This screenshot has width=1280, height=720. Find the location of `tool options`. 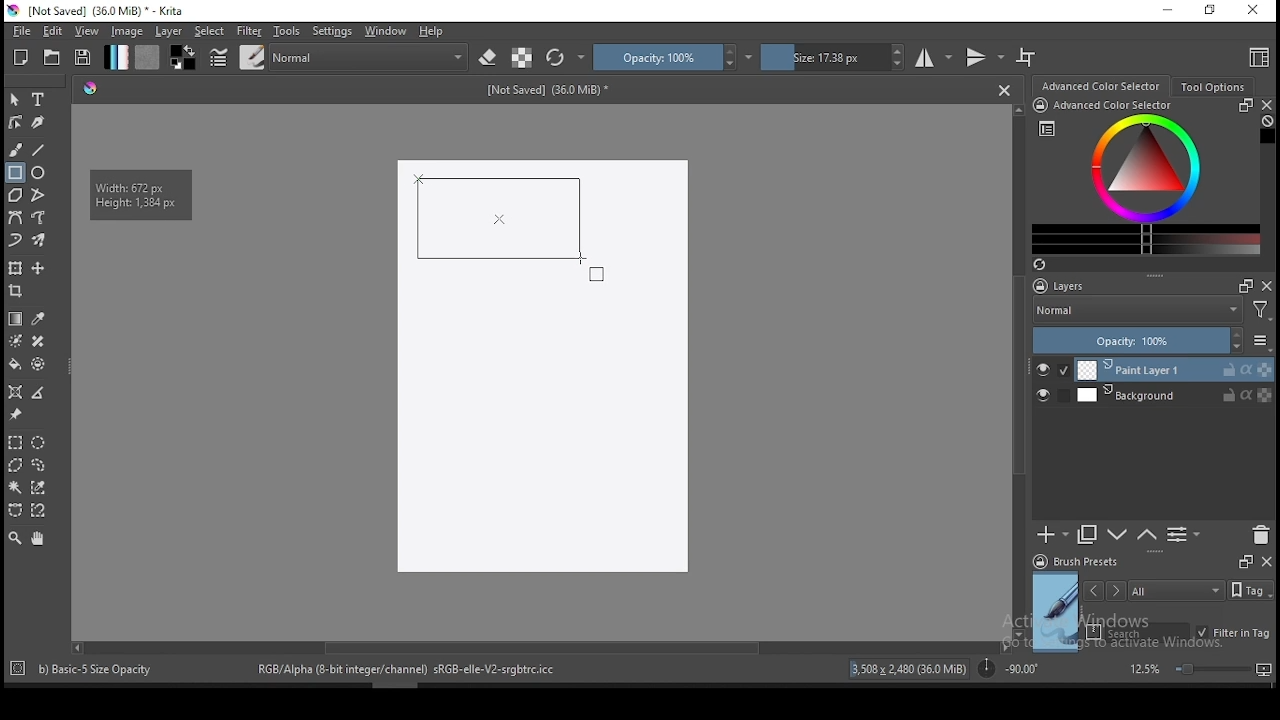

tool options is located at coordinates (1214, 87).